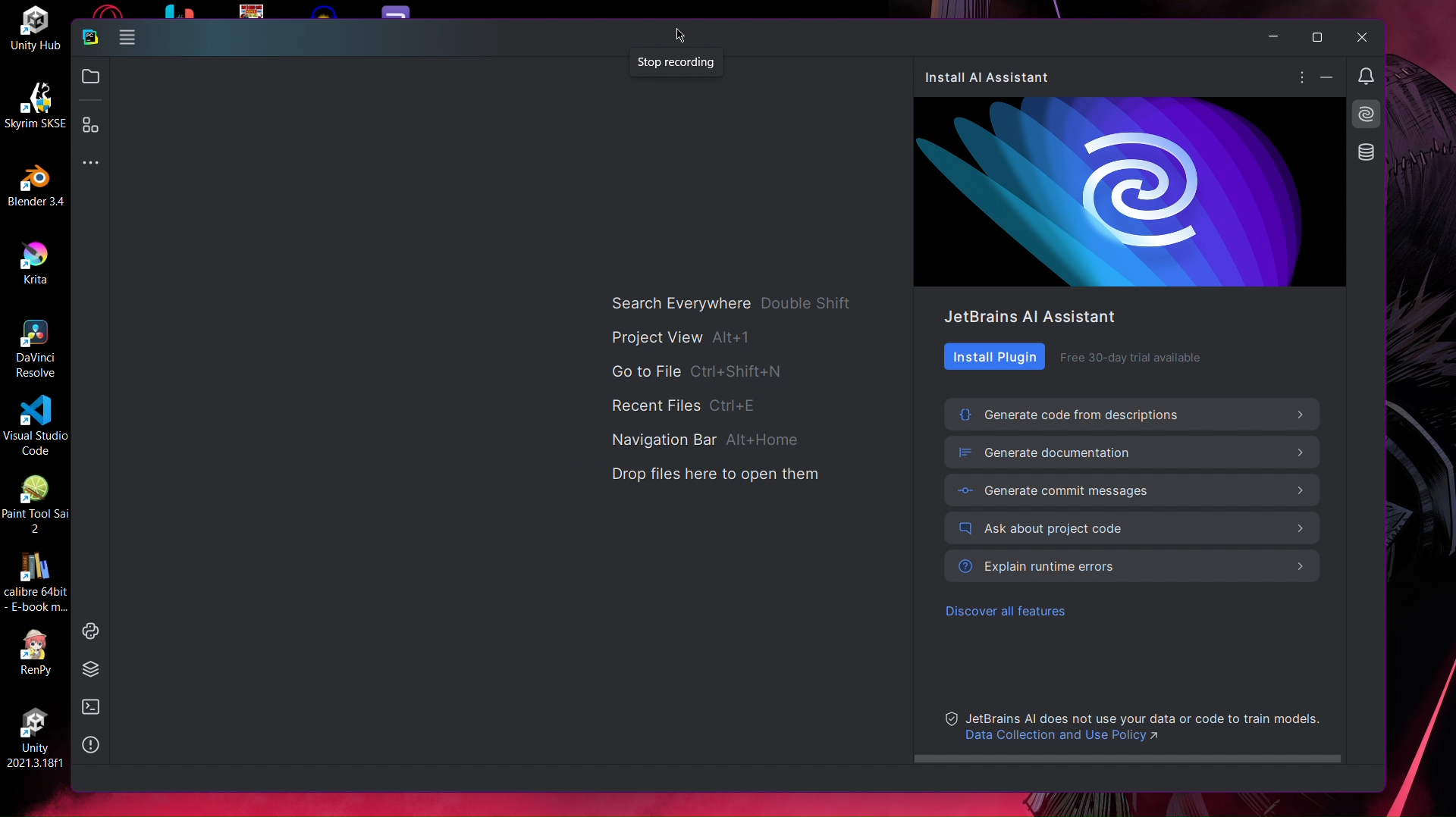 This screenshot has height=817, width=1456. I want to click on Stop recording, so click(679, 64).